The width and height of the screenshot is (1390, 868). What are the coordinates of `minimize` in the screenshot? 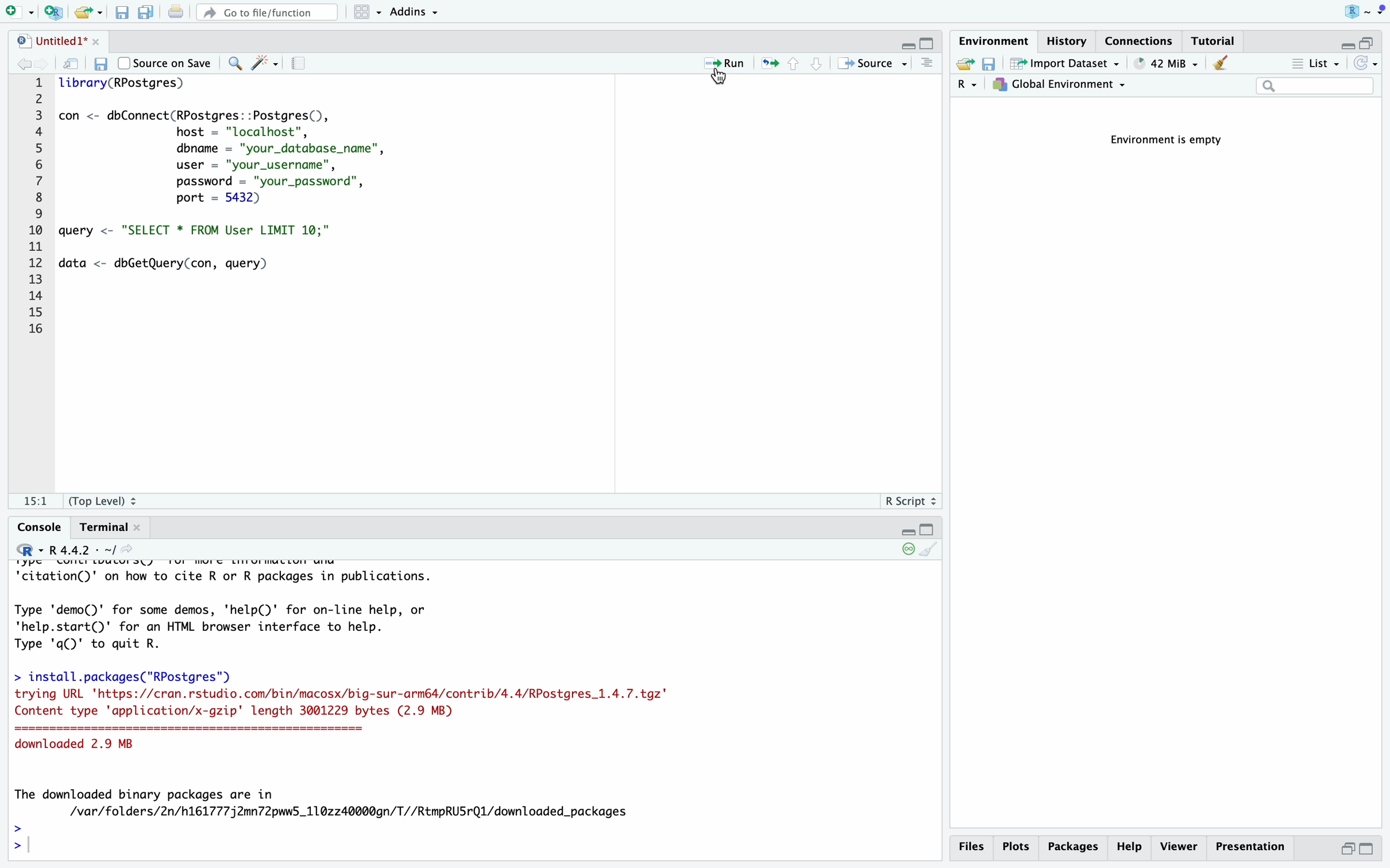 It's located at (1342, 852).